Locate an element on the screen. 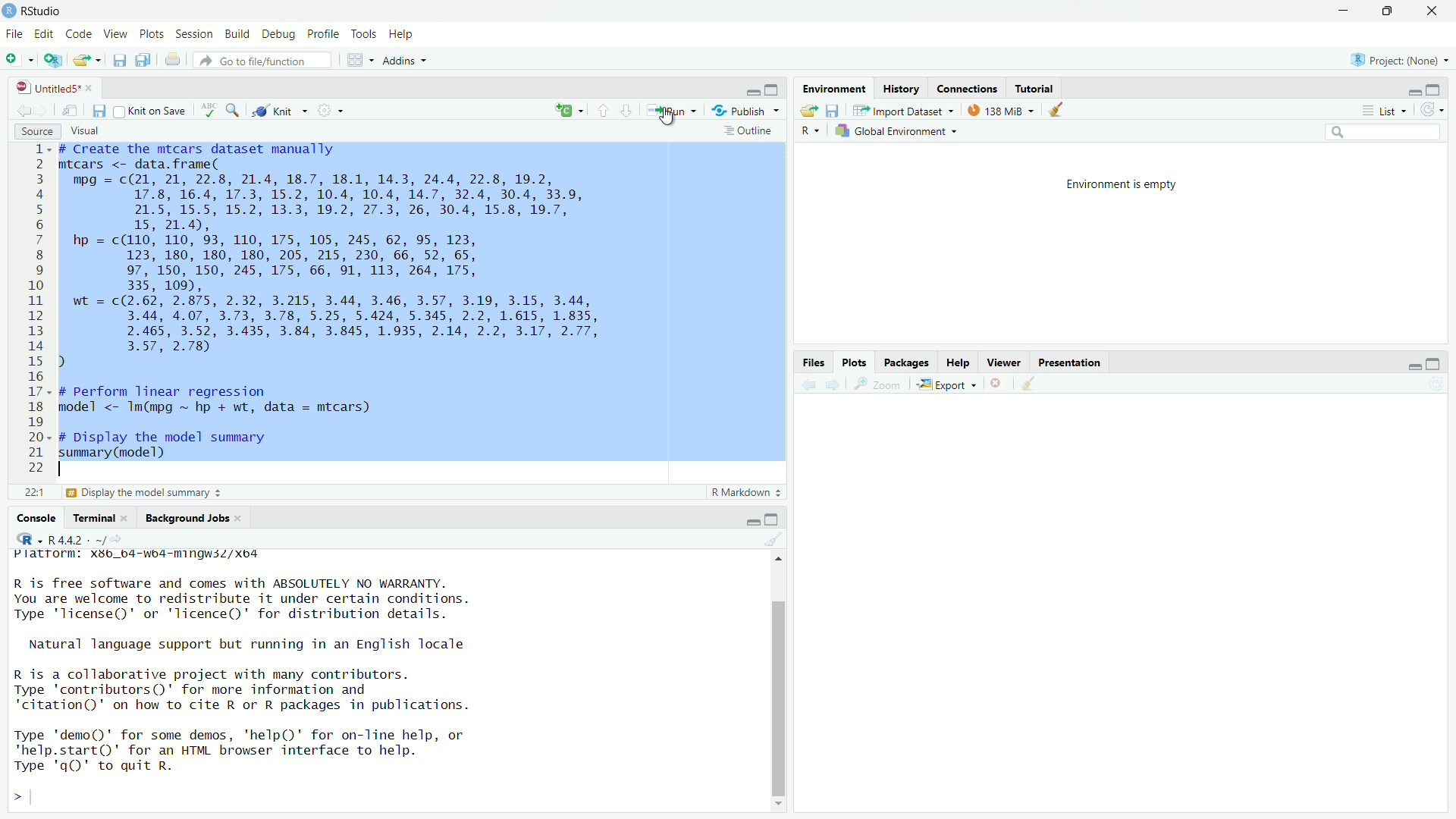 The height and width of the screenshot is (819, 1456). Plots is located at coordinates (855, 363).